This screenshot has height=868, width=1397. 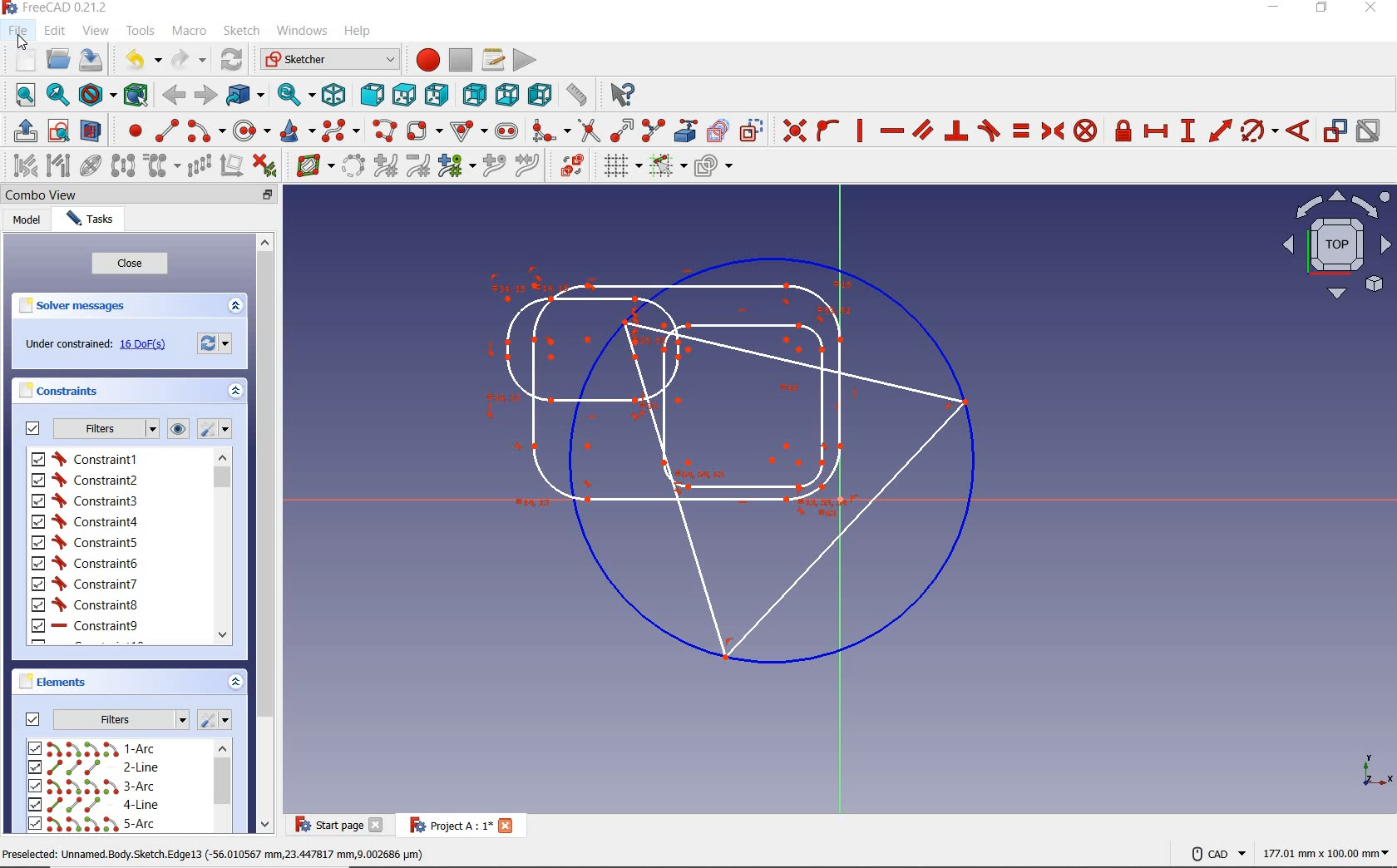 I want to click on 4-line, so click(x=96, y=805).